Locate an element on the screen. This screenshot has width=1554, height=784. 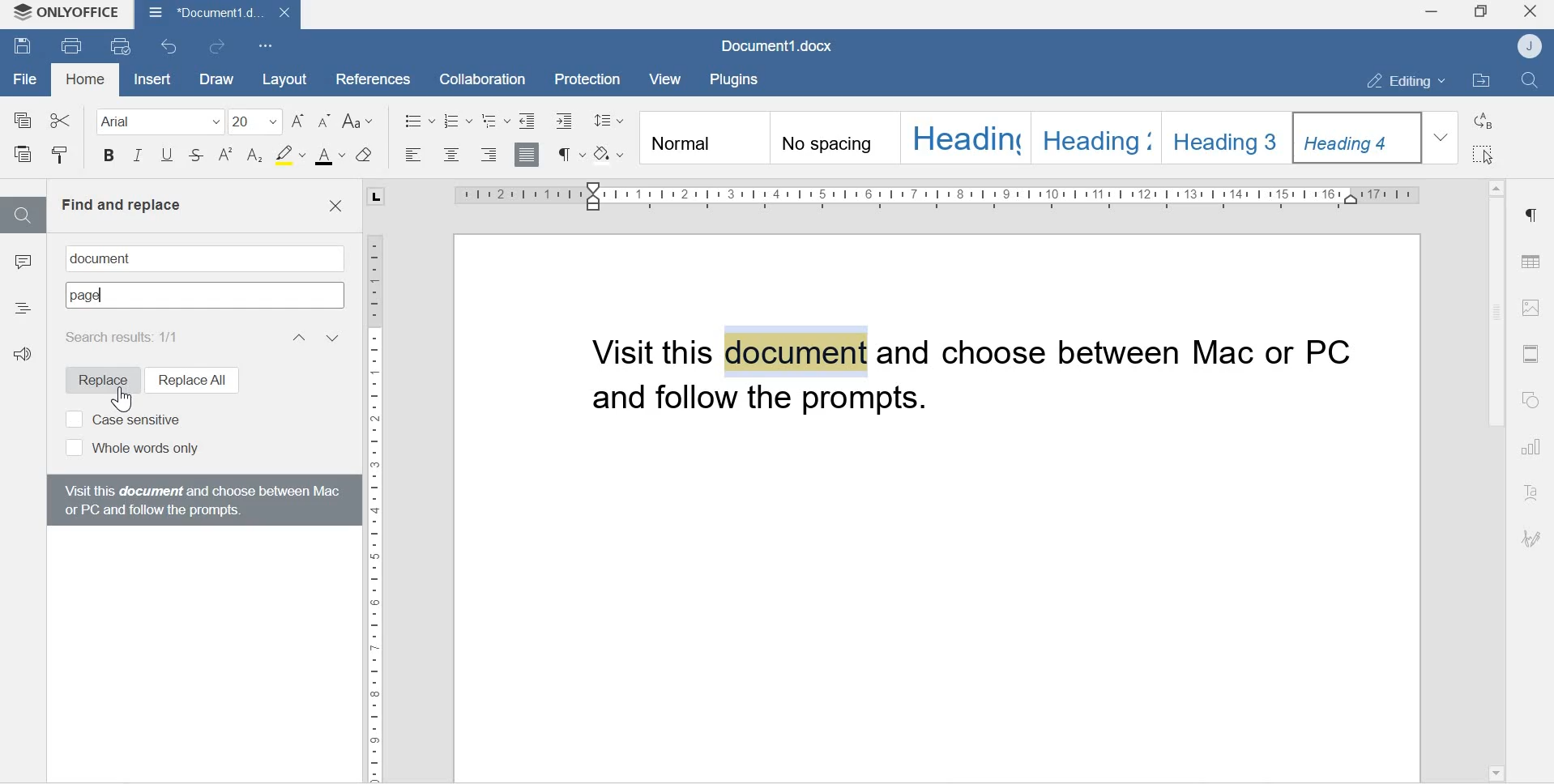
Save is located at coordinates (23, 48).